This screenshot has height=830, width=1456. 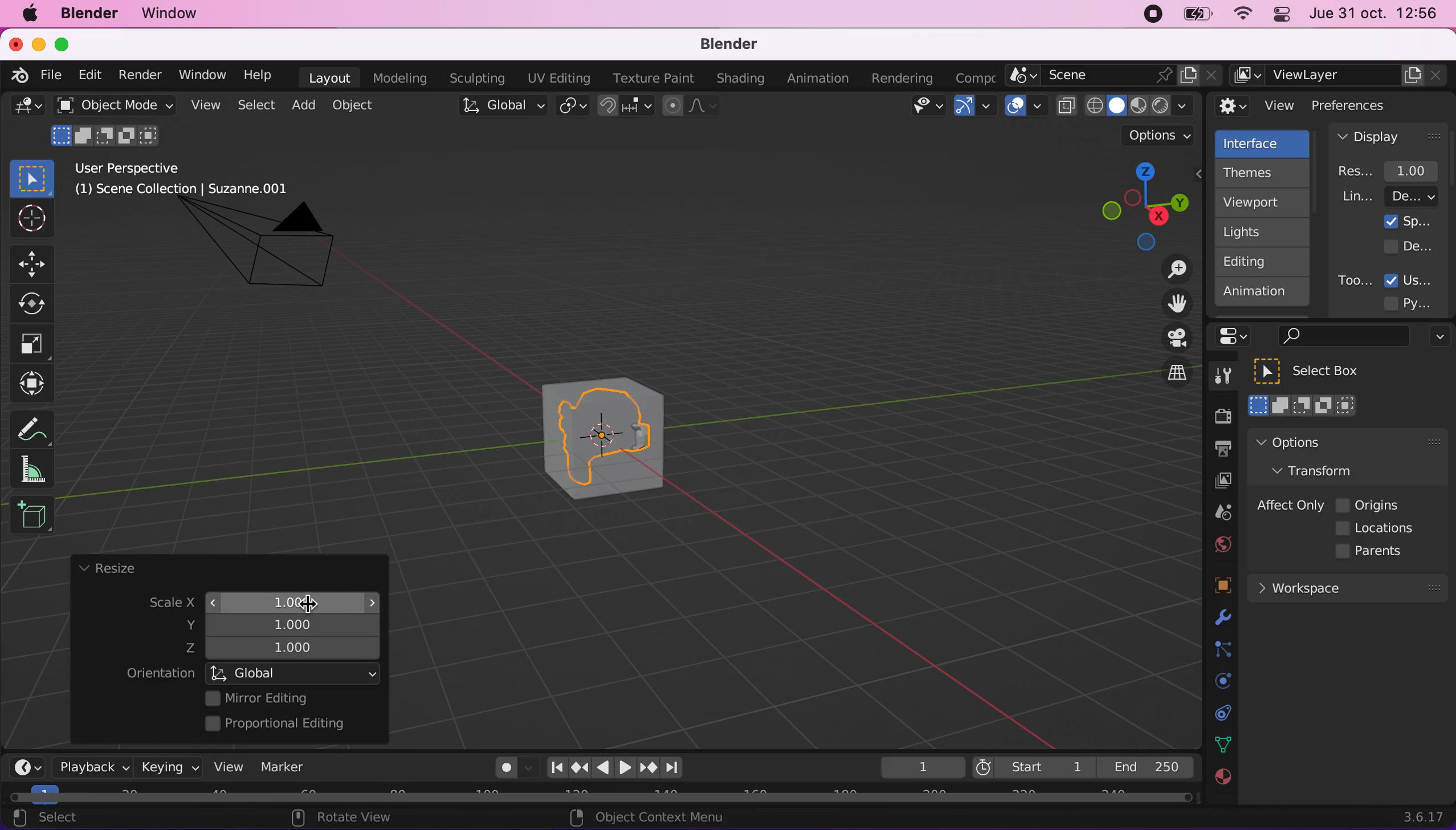 I want to click on scale y, so click(x=287, y=624).